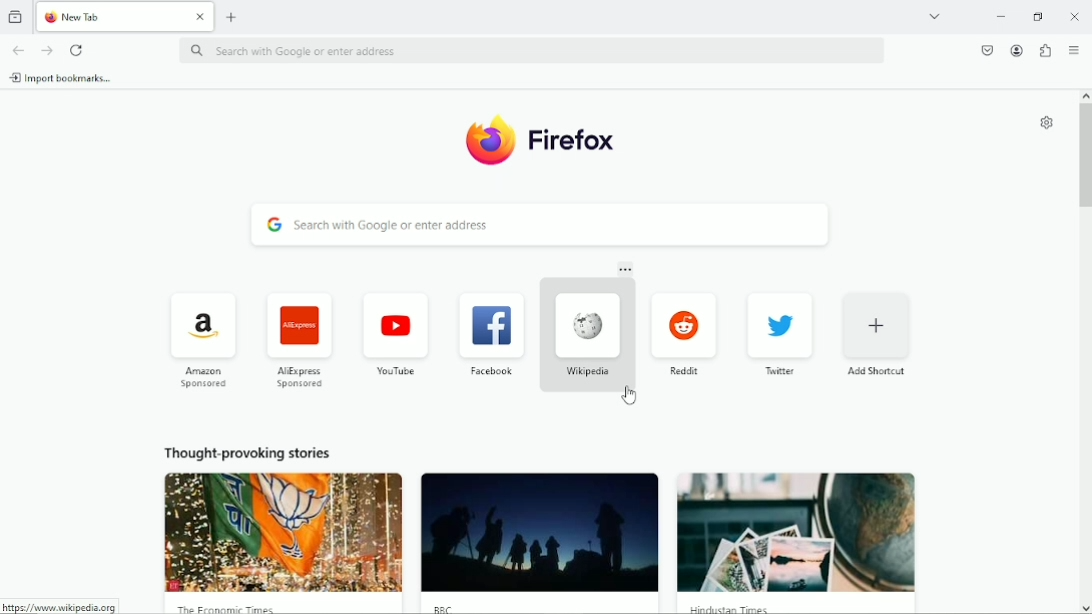  I want to click on image, so click(797, 532).